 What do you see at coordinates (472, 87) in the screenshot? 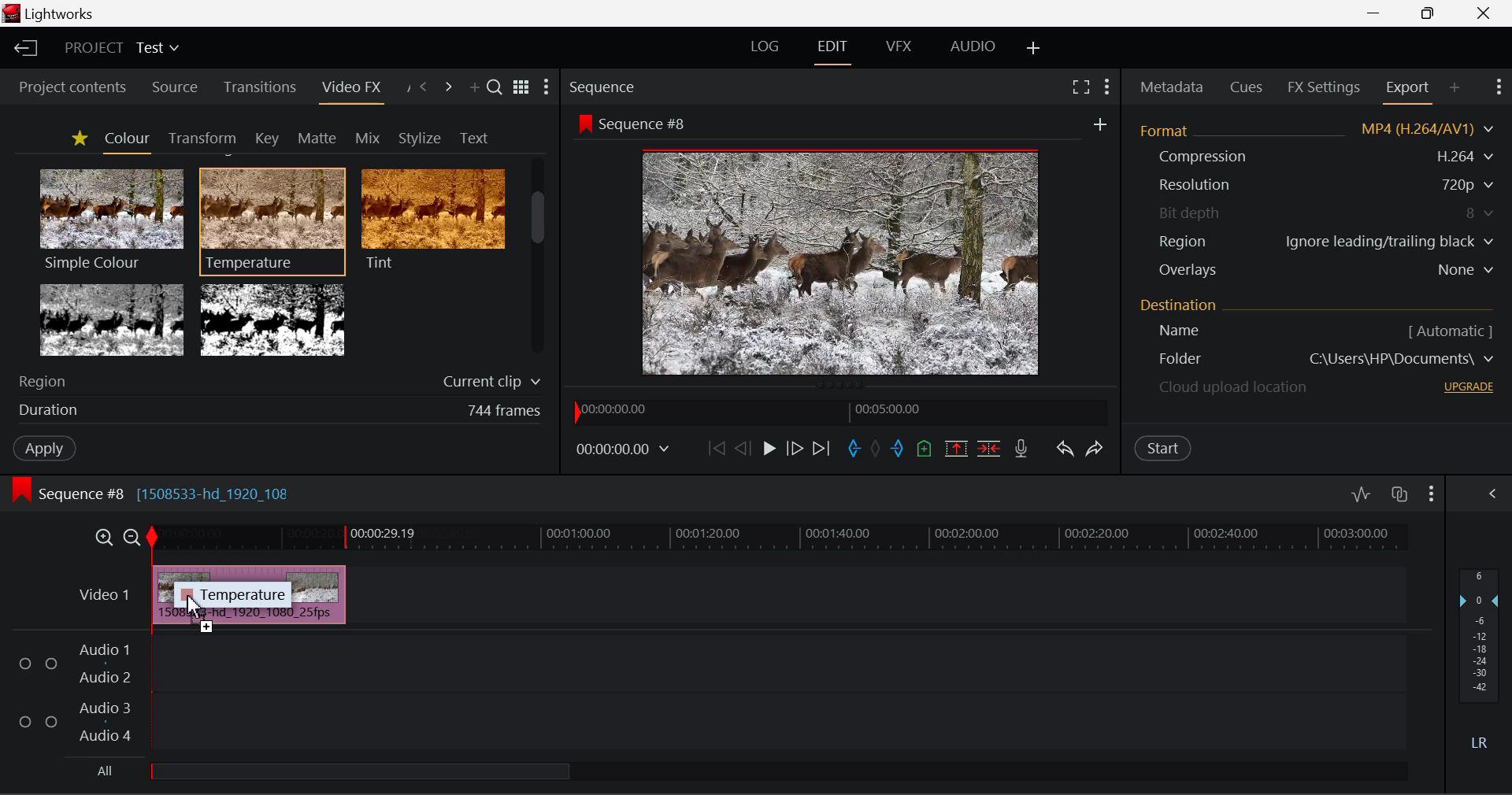
I see `Add Panel` at bounding box center [472, 87].